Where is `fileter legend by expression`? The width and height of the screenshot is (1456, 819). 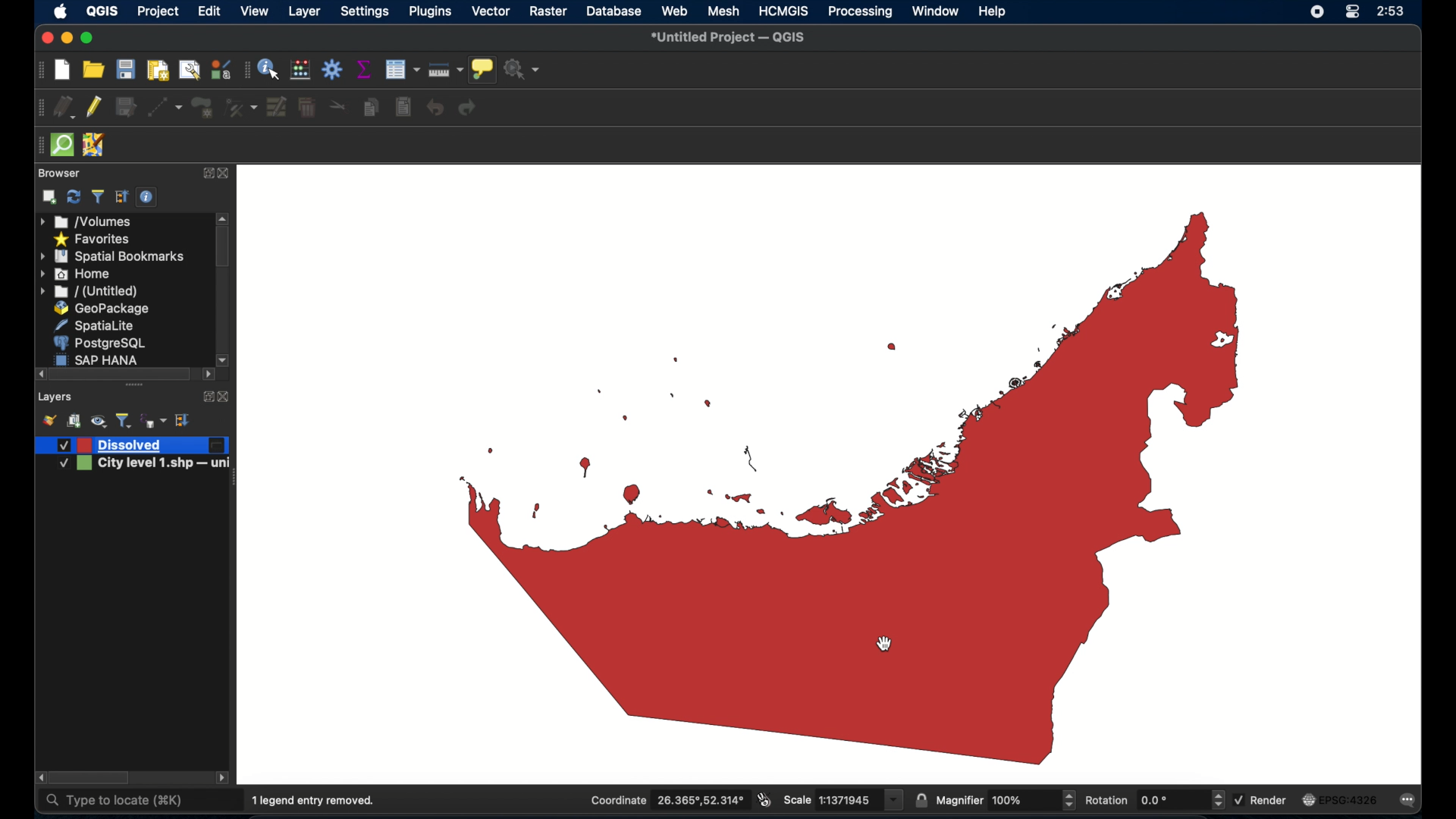
fileter legend by expression is located at coordinates (155, 422).